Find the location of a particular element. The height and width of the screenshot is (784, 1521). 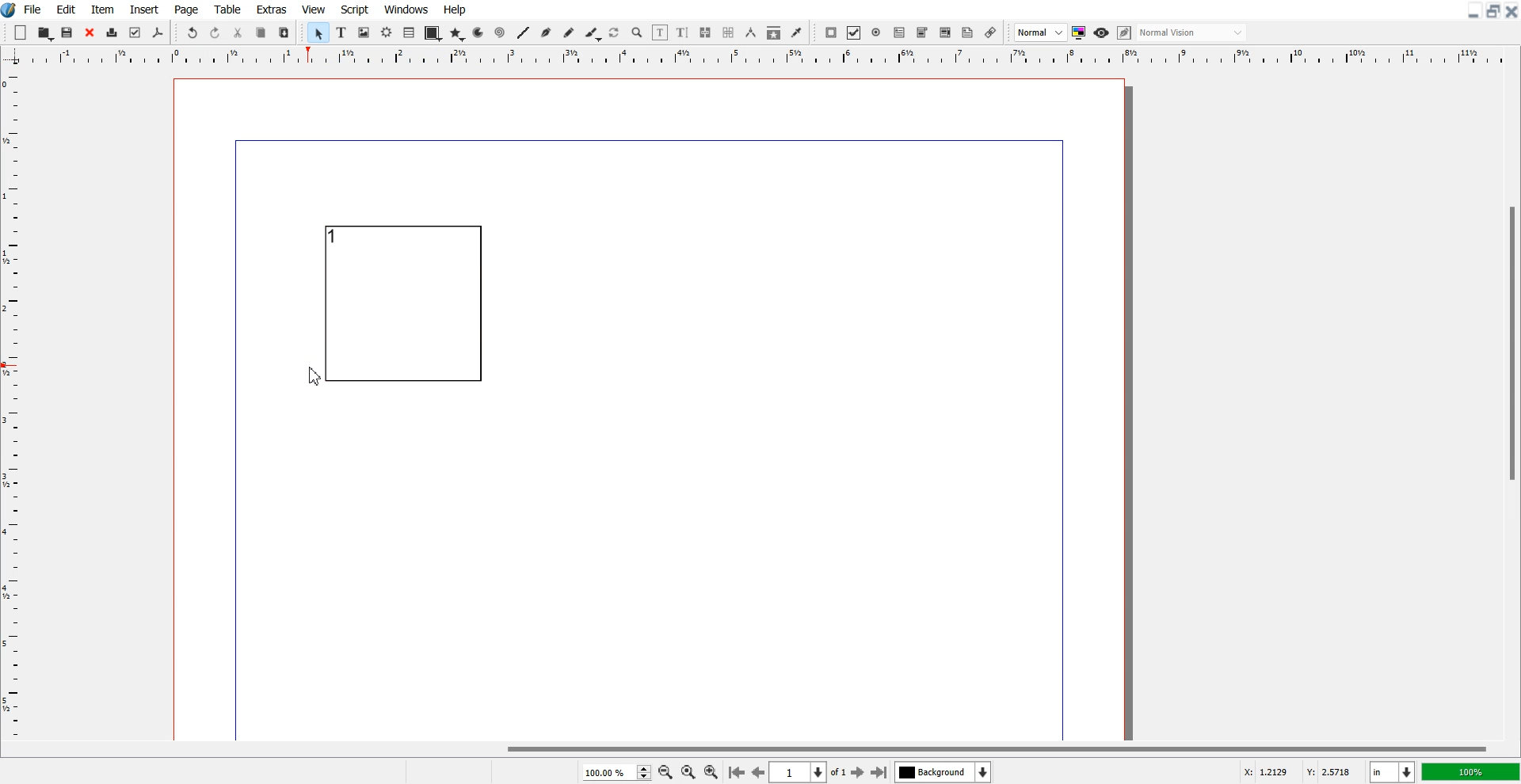

Edit content of frame is located at coordinates (660, 32).